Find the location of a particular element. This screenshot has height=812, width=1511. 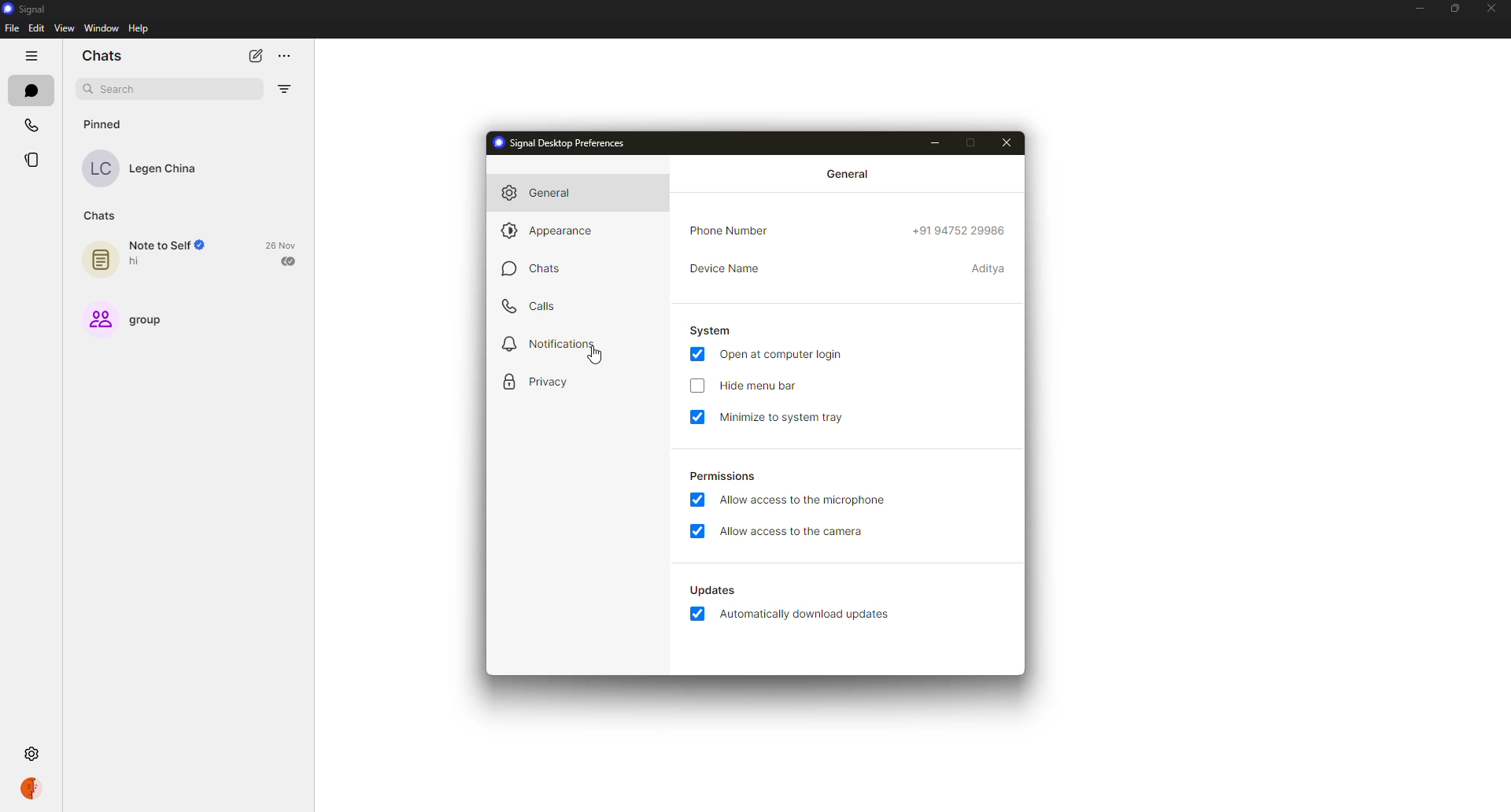

minimize is located at coordinates (940, 141).